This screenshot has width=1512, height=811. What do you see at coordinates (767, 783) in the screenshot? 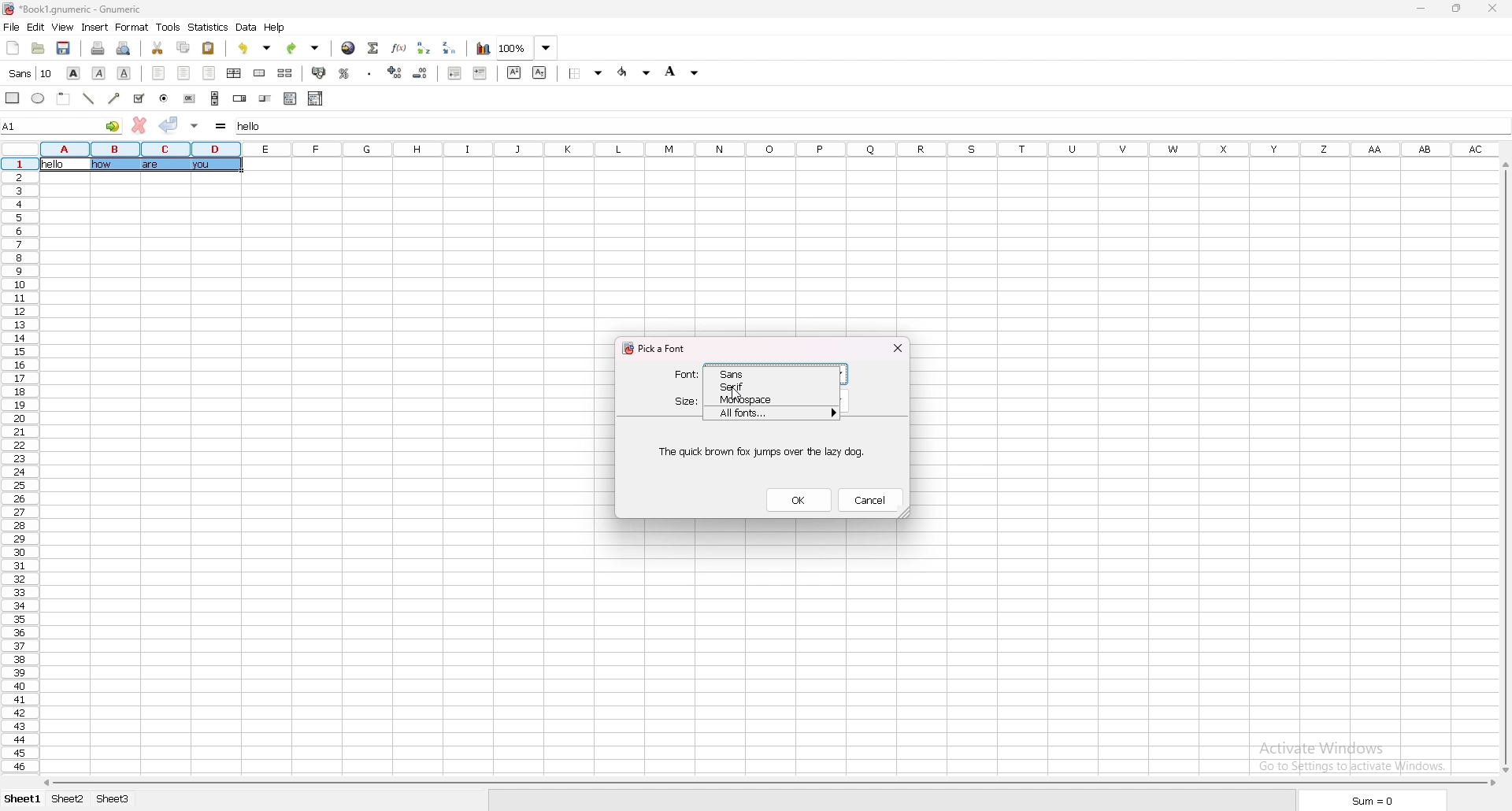
I see `scroll bar` at bounding box center [767, 783].